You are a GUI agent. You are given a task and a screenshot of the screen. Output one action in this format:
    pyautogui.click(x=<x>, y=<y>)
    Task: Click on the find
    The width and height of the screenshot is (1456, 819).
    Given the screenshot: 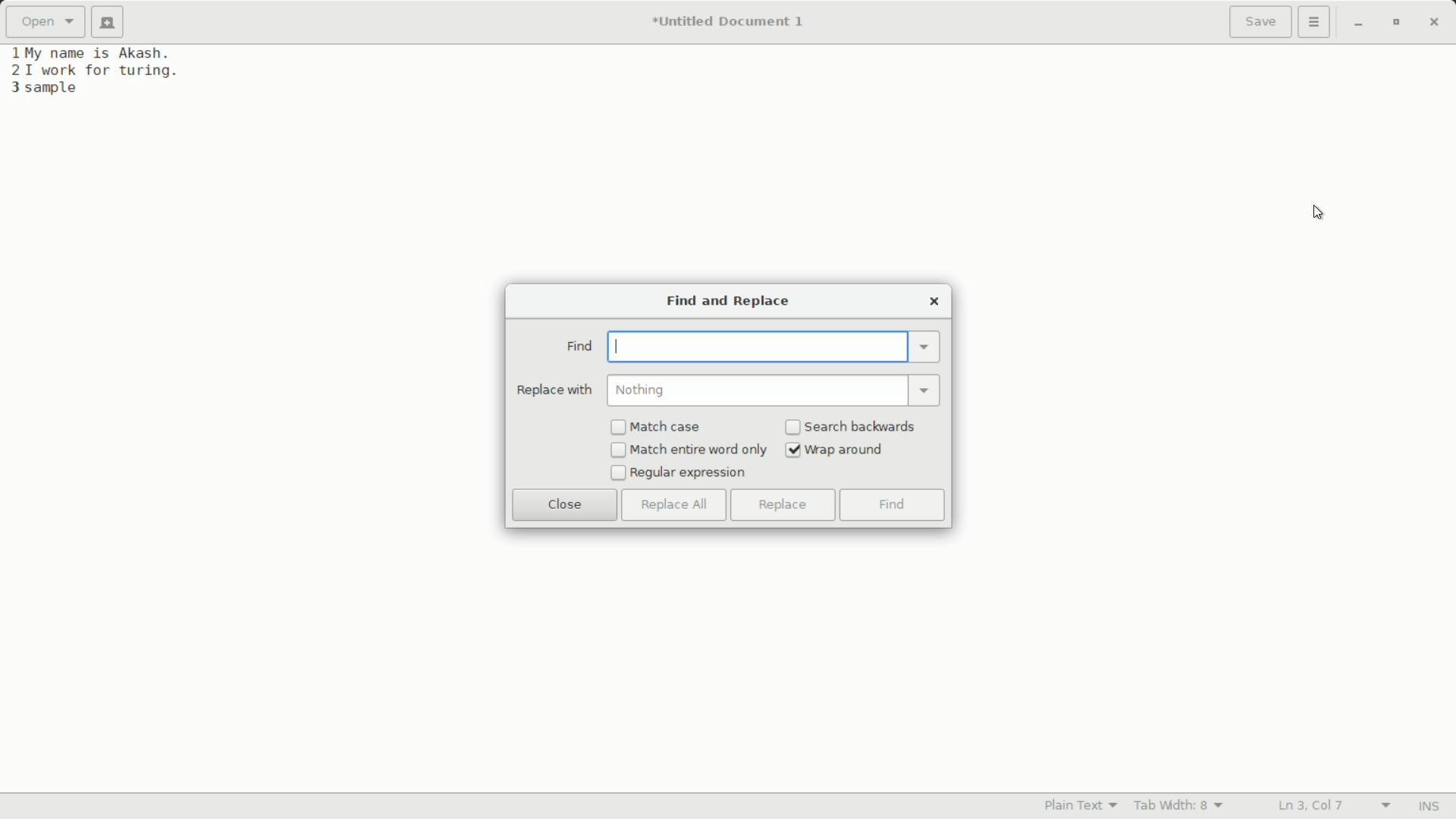 What is the action you would take?
    pyautogui.click(x=578, y=347)
    